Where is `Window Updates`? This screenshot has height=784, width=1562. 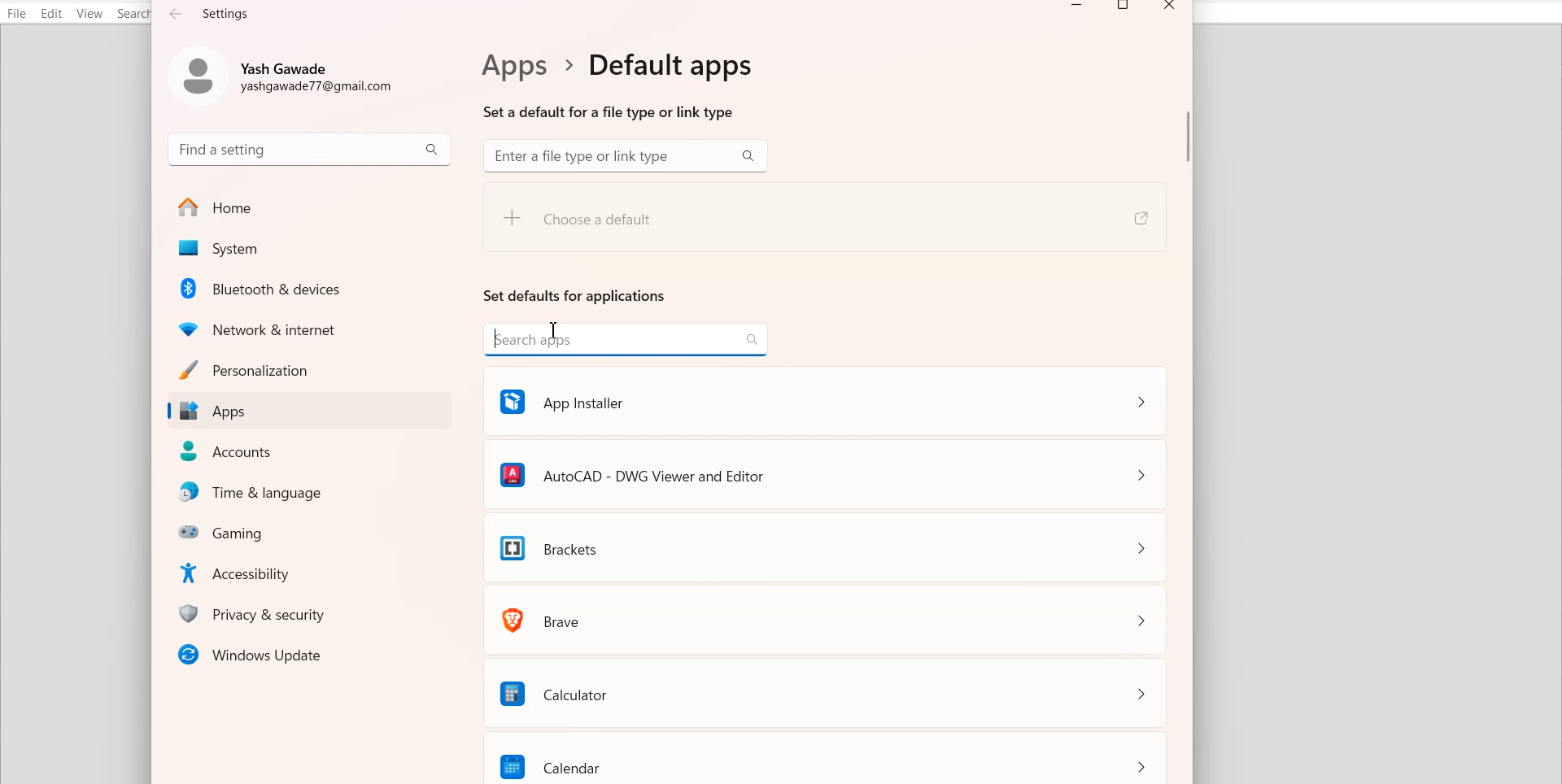
Window Updates is located at coordinates (308, 654).